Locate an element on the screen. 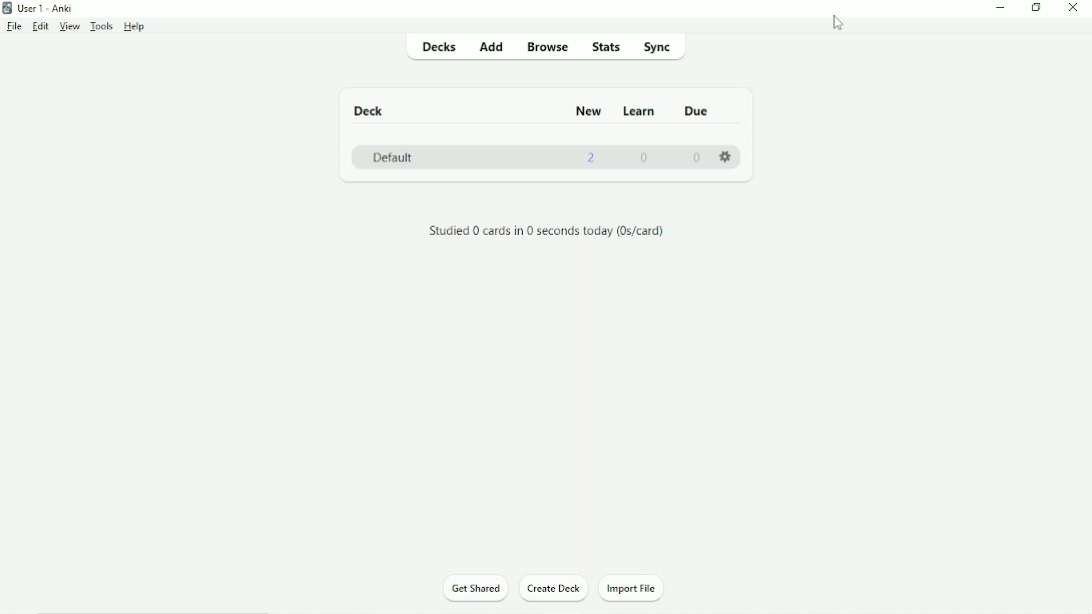 The image size is (1092, 614). Create Deck is located at coordinates (554, 587).